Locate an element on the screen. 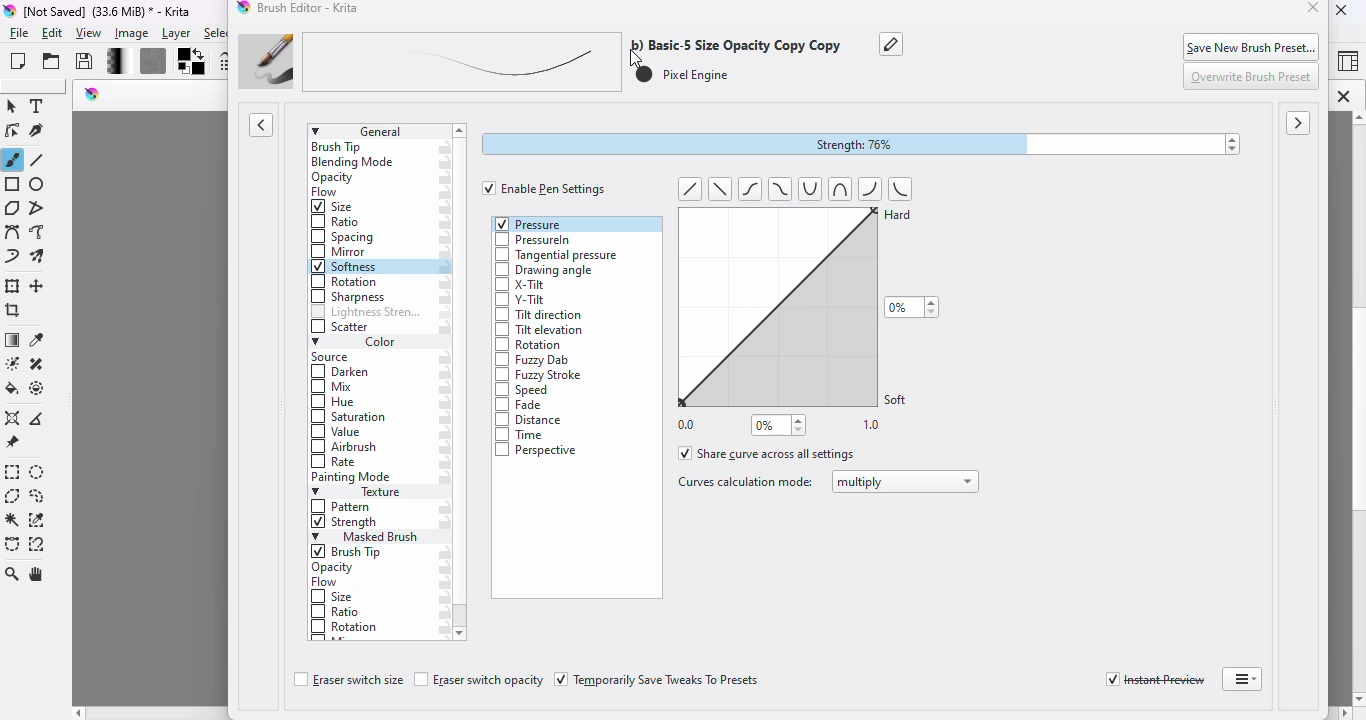 Image resolution: width=1366 pixels, height=720 pixels. freehand selection tool is located at coordinates (37, 496).